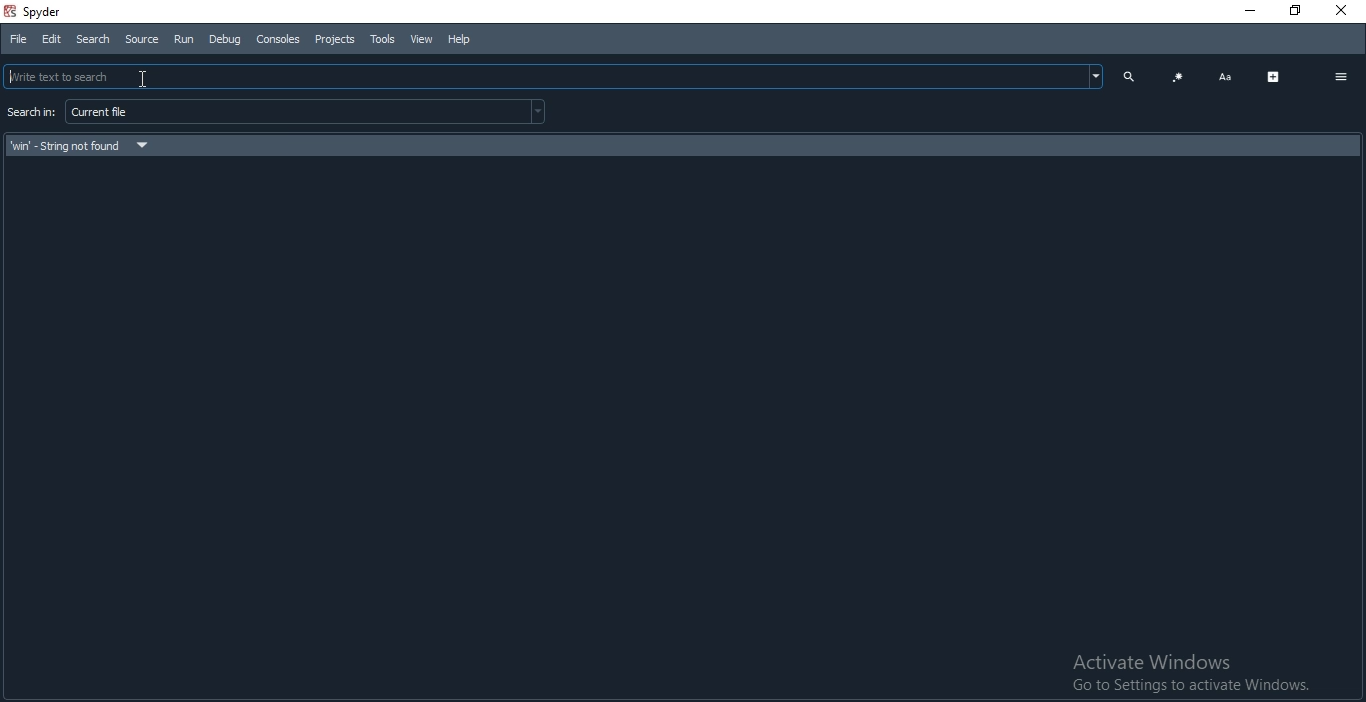  I want to click on spyder, so click(52, 13).